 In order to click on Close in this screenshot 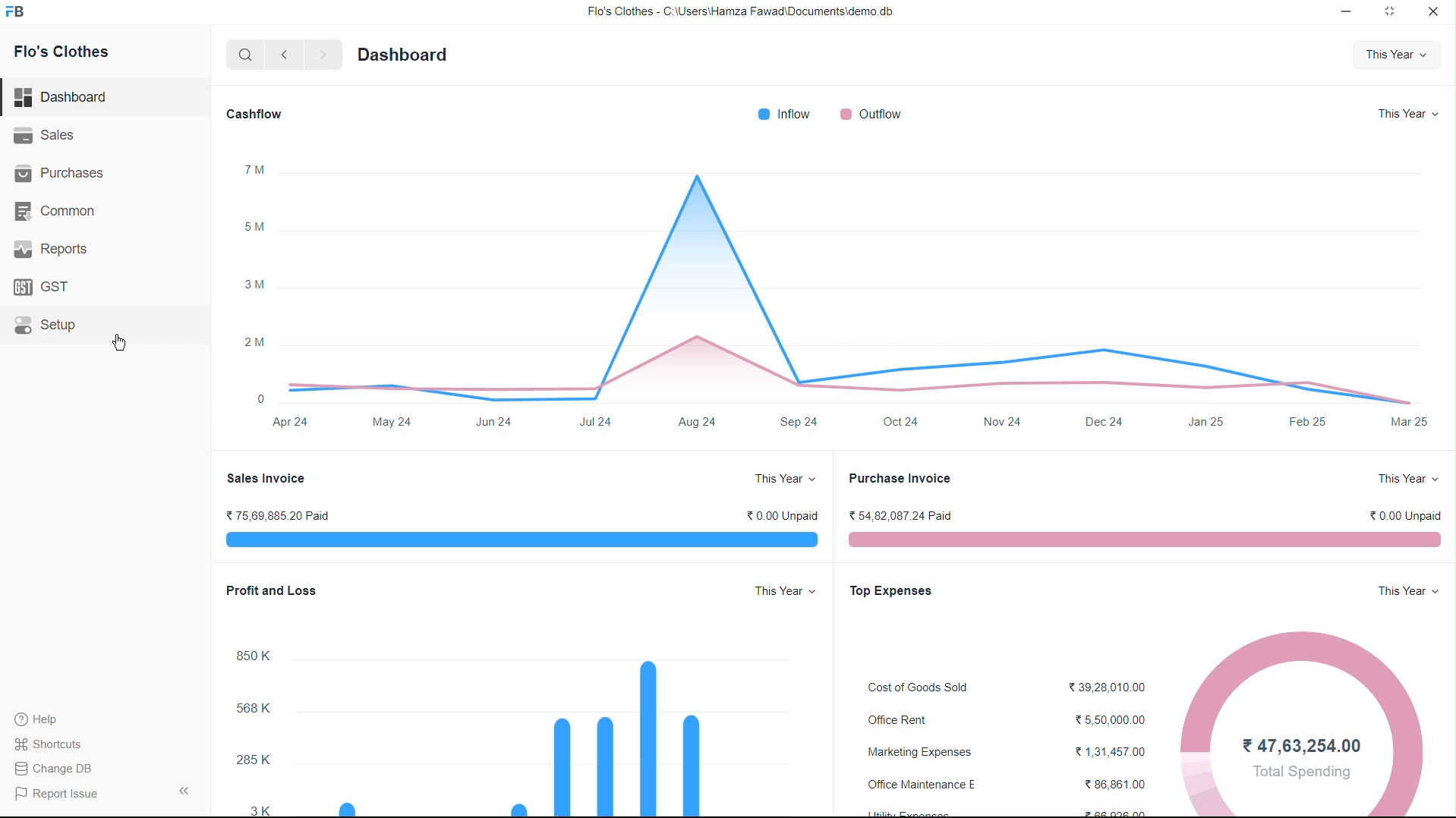, I will do `click(1433, 13)`.